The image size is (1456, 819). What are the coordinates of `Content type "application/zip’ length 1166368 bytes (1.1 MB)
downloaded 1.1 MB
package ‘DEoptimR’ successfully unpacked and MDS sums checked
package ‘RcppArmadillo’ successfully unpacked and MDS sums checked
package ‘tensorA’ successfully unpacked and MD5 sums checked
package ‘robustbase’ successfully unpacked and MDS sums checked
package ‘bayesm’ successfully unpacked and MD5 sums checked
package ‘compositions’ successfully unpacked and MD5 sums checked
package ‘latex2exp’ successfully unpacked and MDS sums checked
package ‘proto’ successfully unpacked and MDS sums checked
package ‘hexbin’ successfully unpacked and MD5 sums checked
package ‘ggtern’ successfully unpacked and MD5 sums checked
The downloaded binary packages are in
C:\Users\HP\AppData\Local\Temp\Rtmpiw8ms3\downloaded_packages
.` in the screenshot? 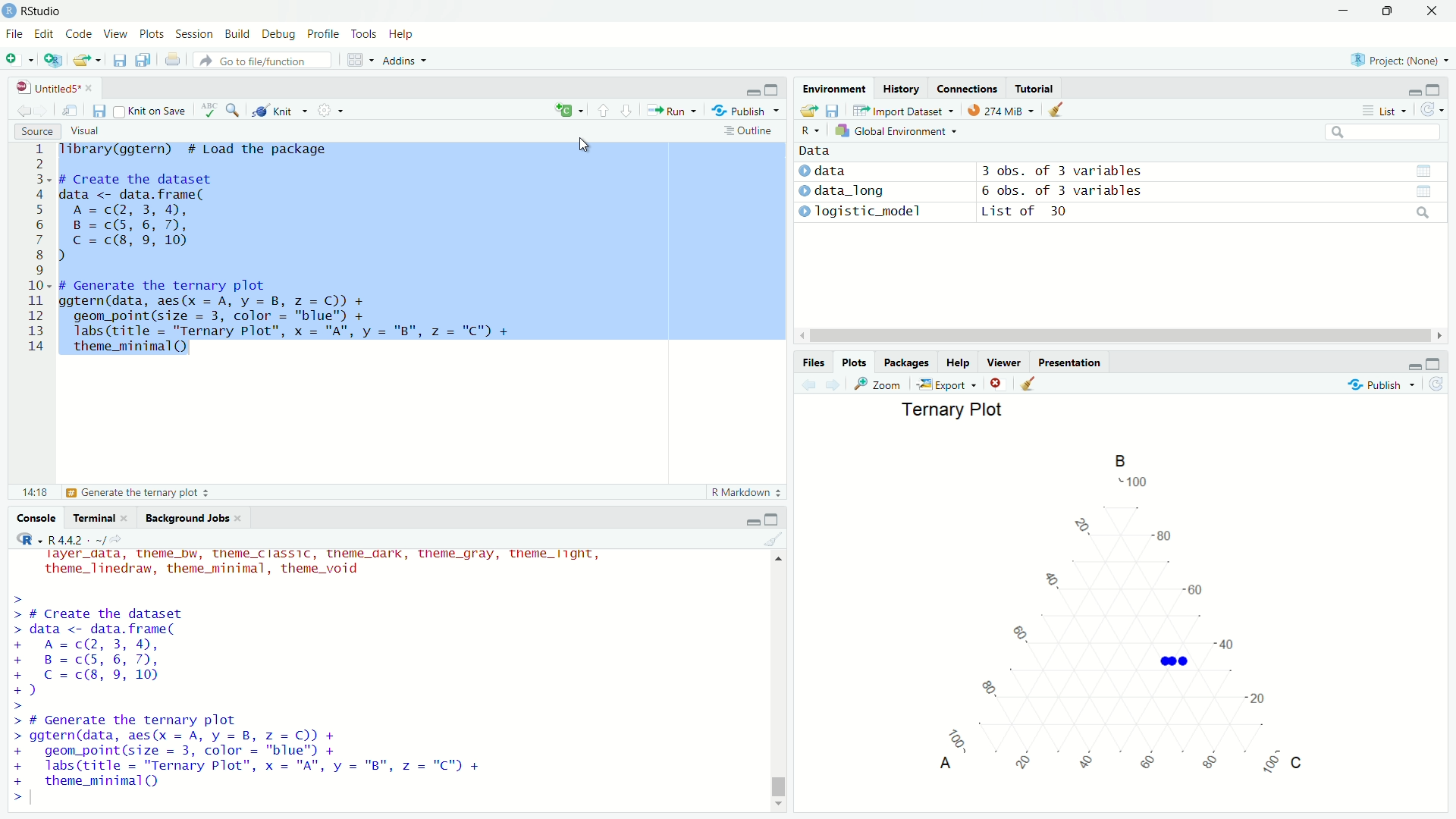 It's located at (291, 674).